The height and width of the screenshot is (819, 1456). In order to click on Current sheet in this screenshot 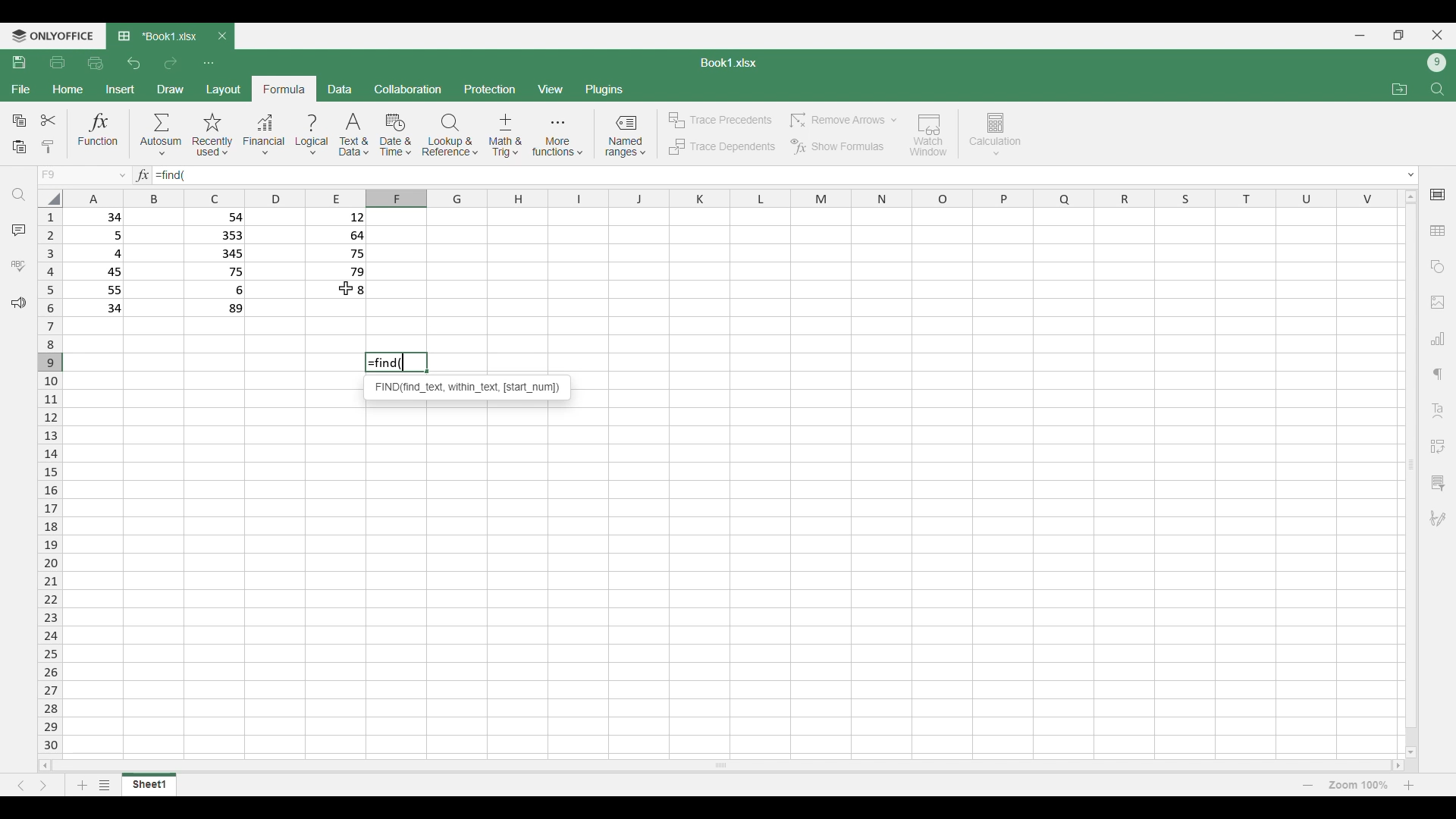, I will do `click(149, 784)`.